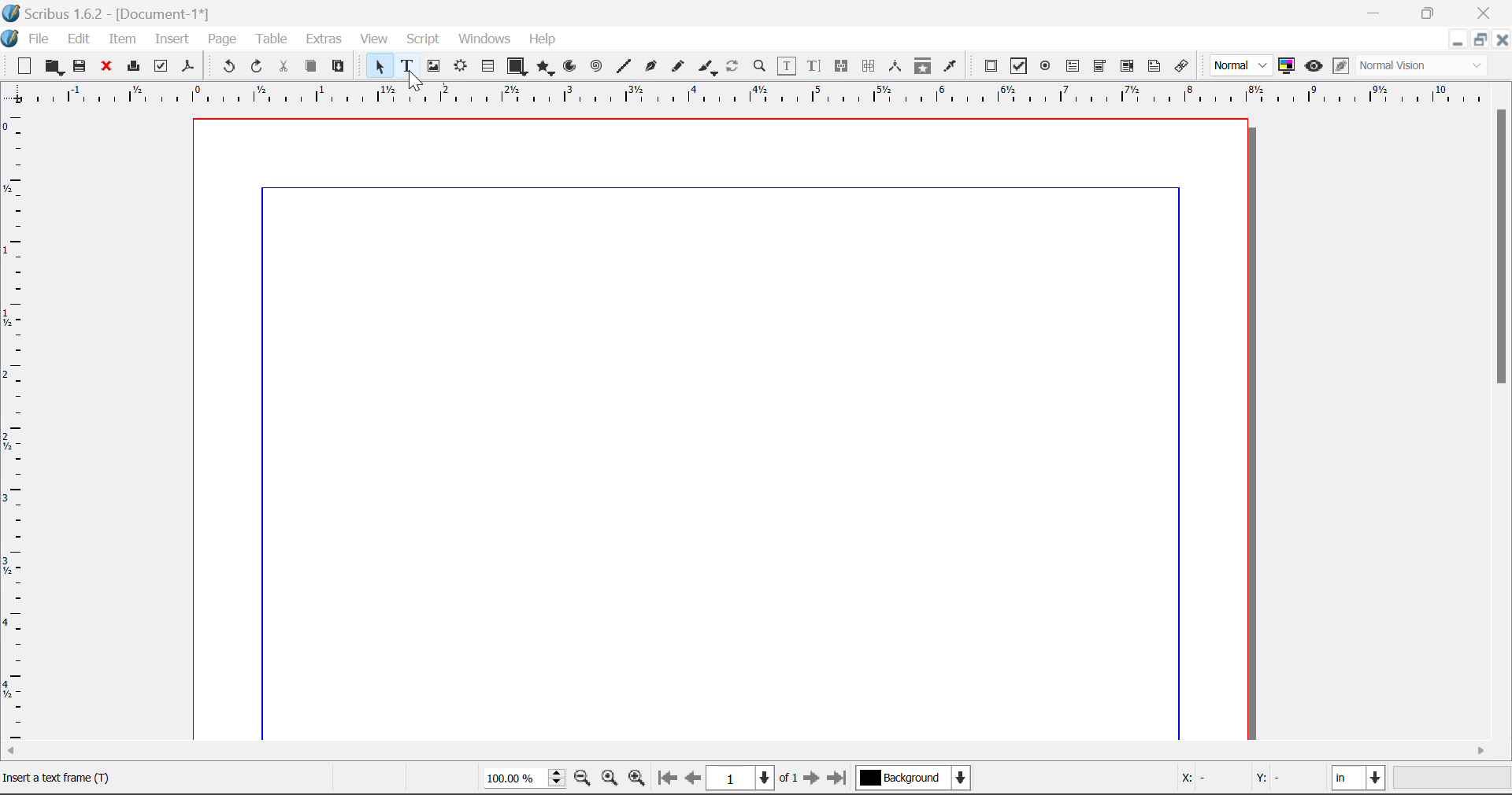 The width and height of the screenshot is (1512, 795). What do you see at coordinates (1288, 67) in the screenshot?
I see `Toggle Color Management` at bounding box center [1288, 67].